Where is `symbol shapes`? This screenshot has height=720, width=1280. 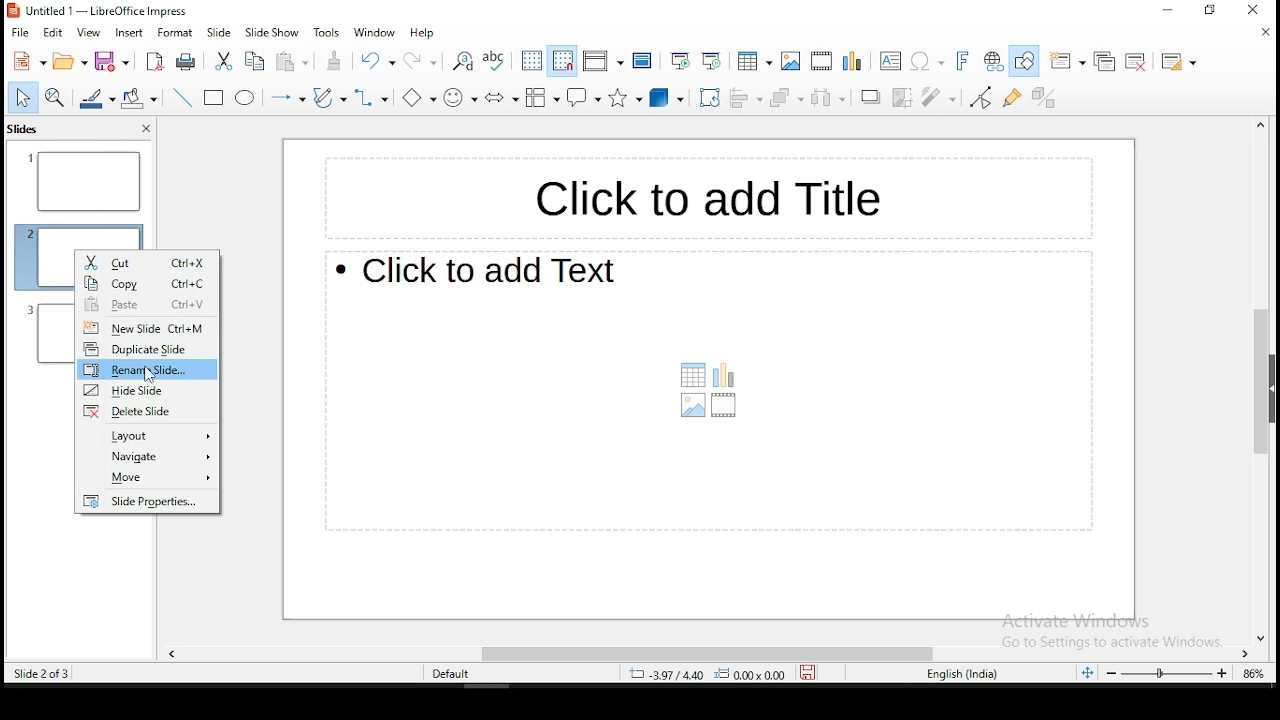
symbol shapes is located at coordinates (460, 97).